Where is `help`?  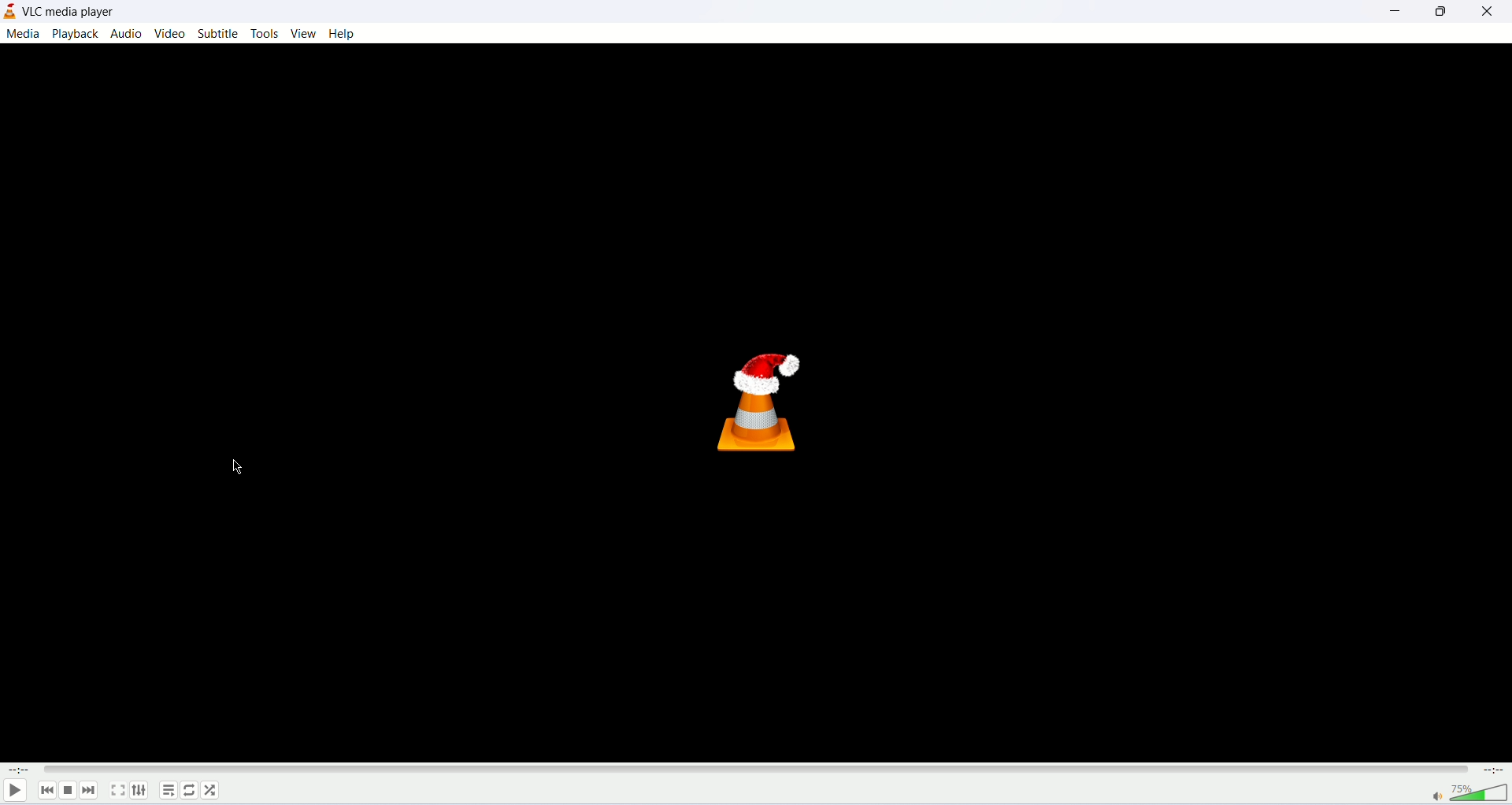
help is located at coordinates (343, 33).